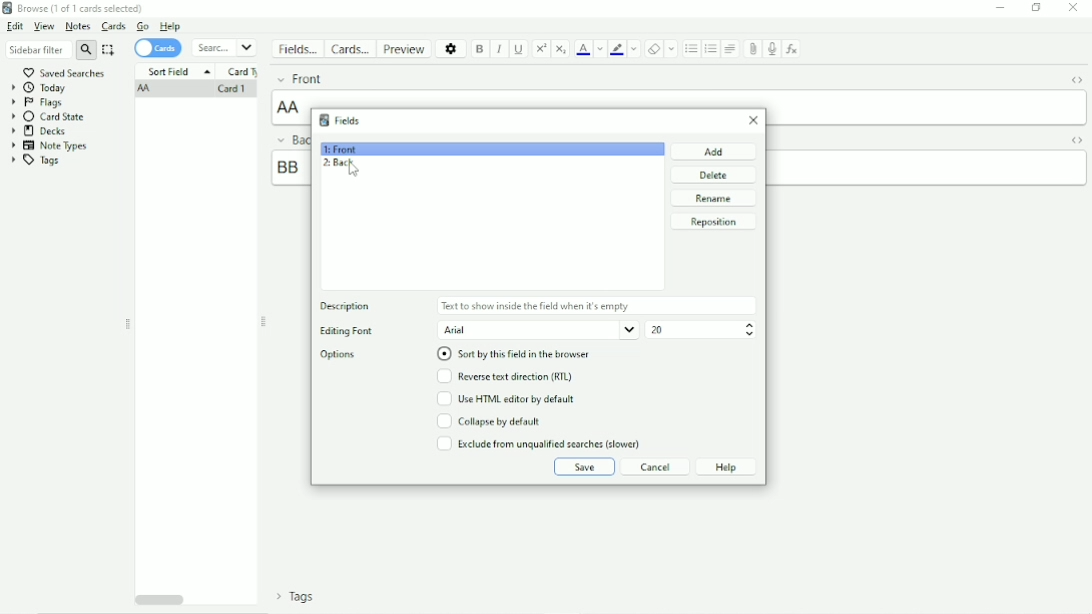 The width and height of the screenshot is (1092, 614). What do you see at coordinates (128, 324) in the screenshot?
I see `Resize` at bounding box center [128, 324].